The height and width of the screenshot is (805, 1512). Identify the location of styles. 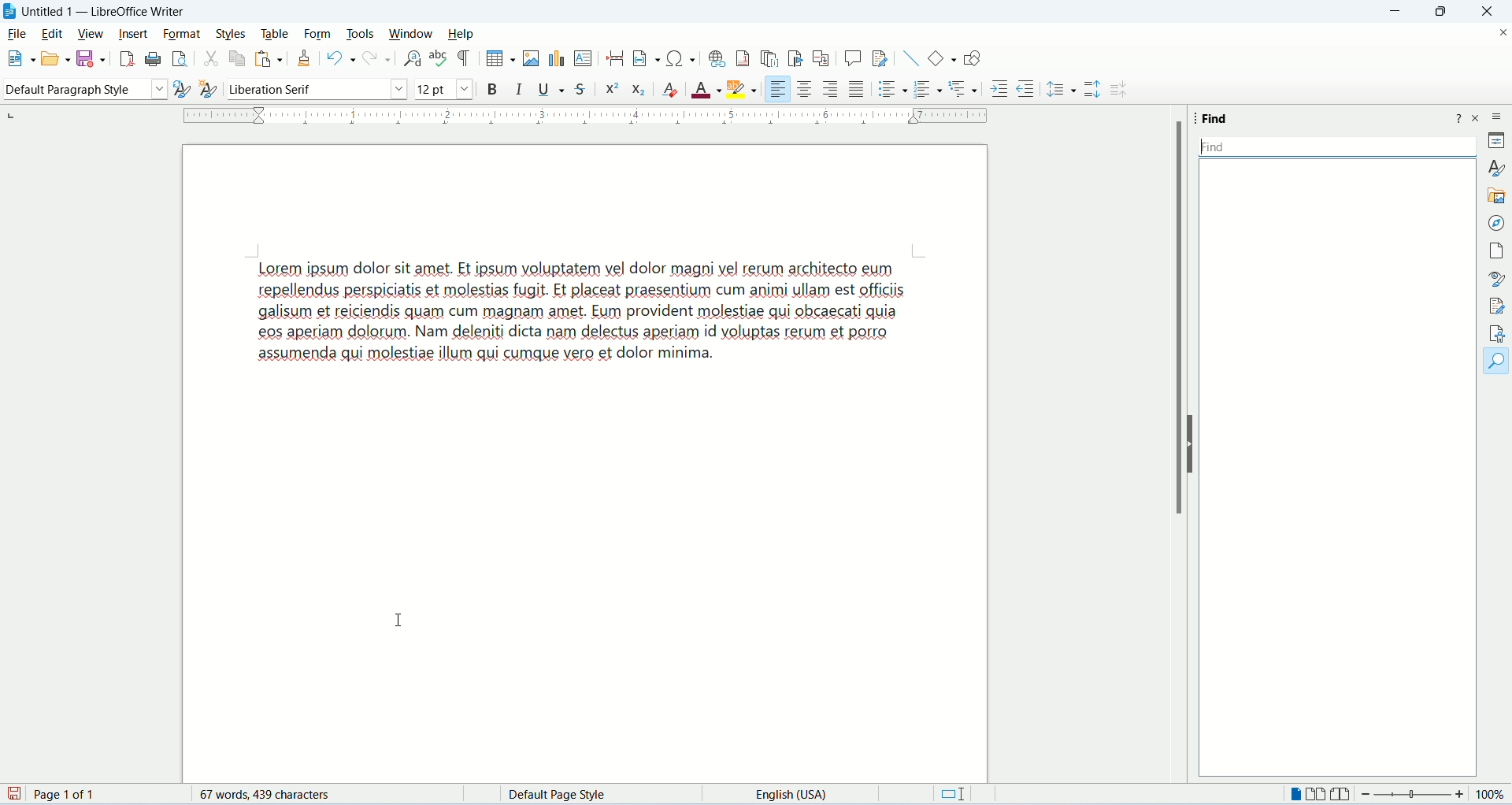
(232, 32).